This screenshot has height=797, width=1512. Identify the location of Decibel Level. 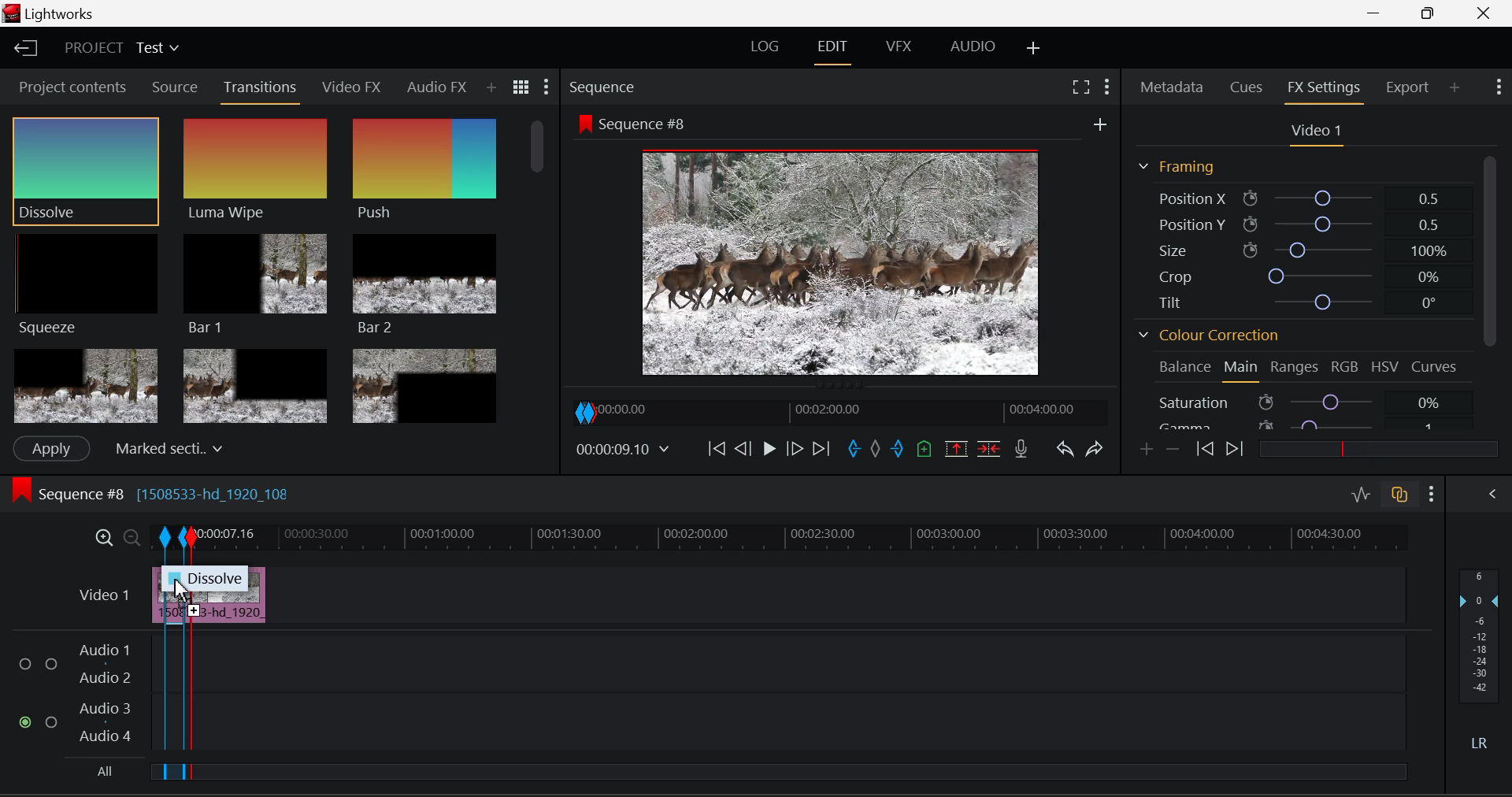
(1482, 662).